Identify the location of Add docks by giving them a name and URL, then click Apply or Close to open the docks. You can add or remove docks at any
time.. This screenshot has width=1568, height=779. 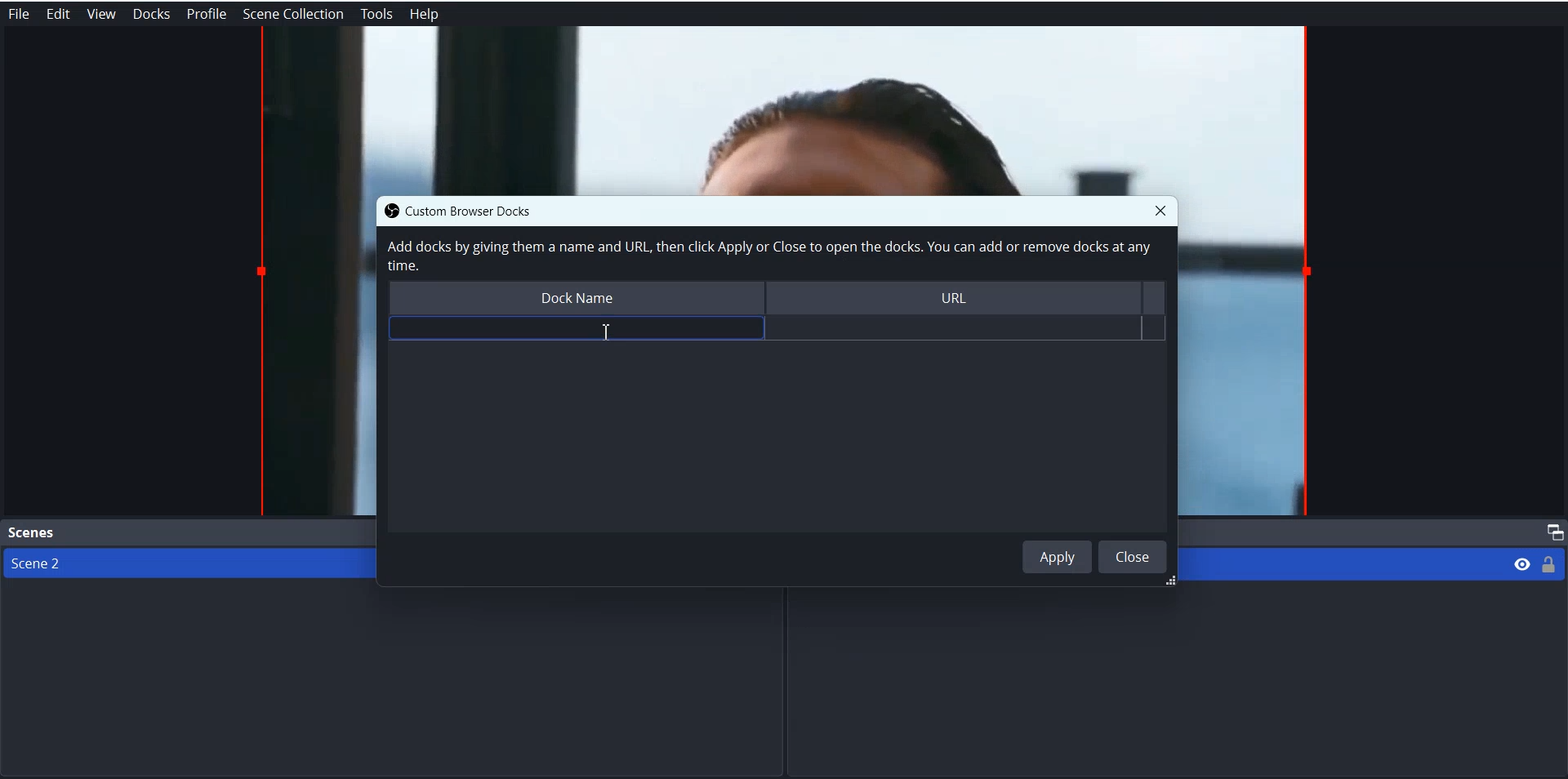
(767, 256).